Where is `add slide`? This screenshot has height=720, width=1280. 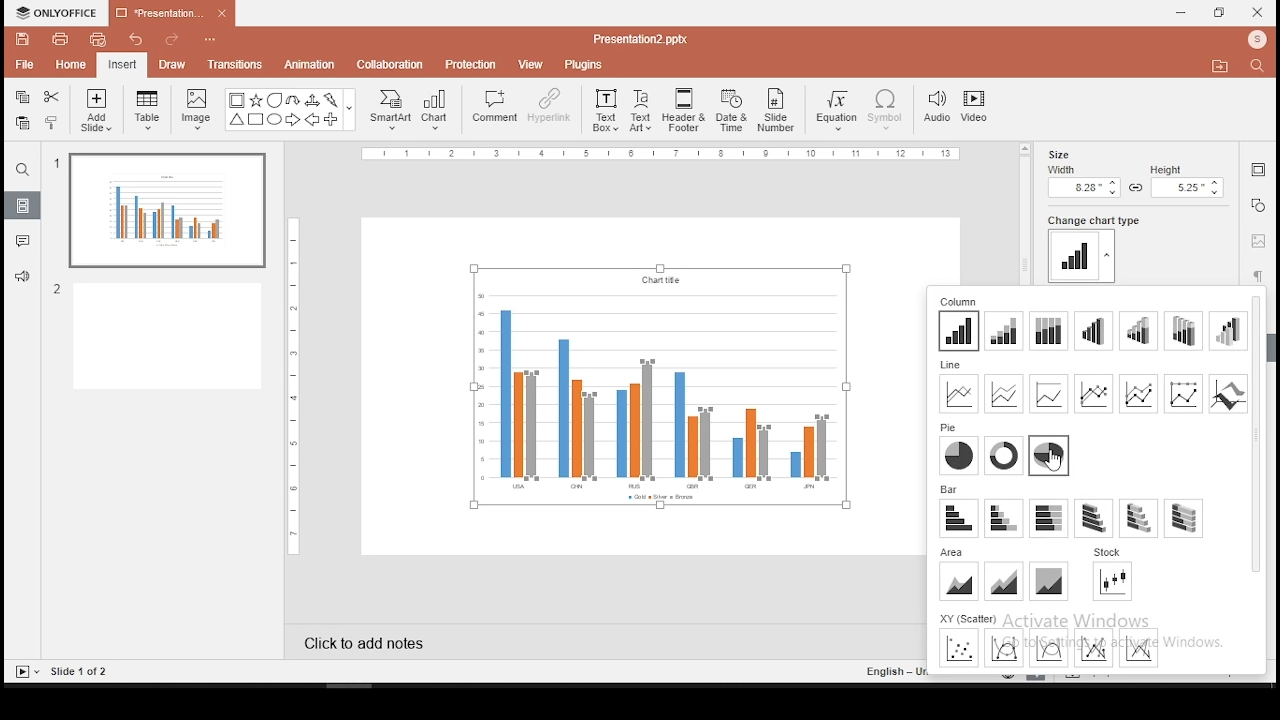
add slide is located at coordinates (96, 110).